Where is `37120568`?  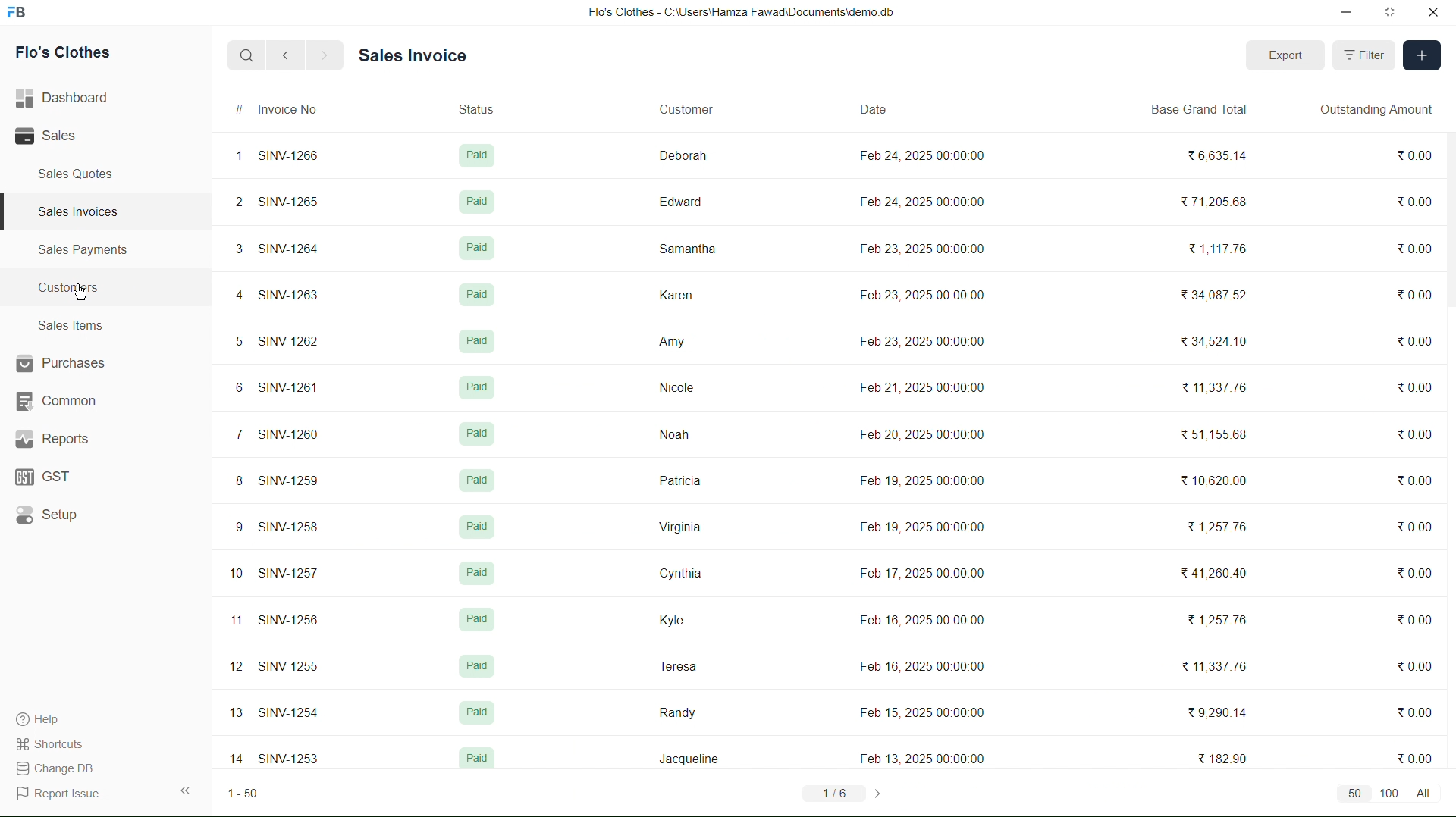
37120568 is located at coordinates (1212, 205).